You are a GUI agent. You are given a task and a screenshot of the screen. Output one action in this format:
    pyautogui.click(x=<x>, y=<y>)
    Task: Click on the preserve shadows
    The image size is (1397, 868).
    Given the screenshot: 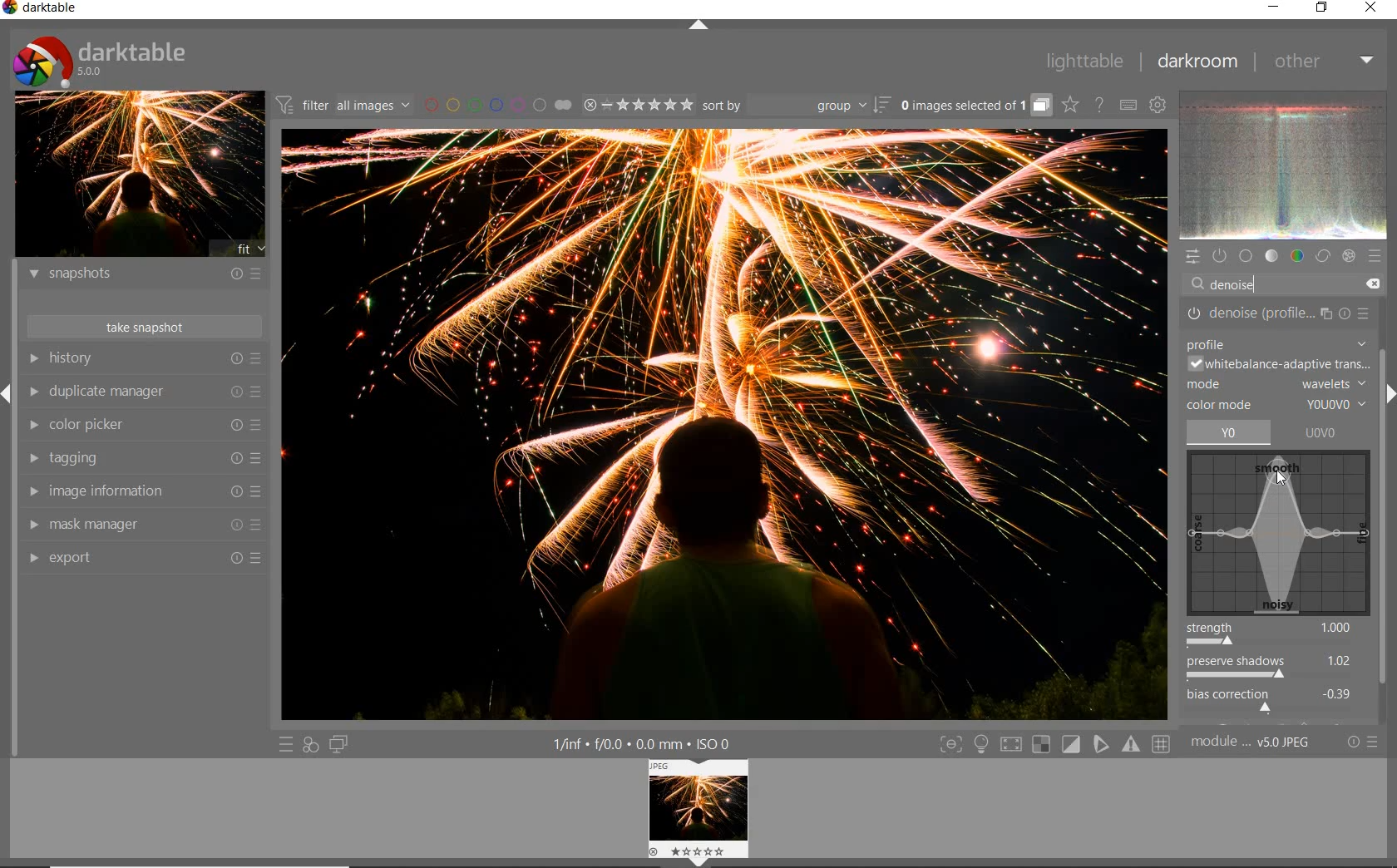 What is the action you would take?
    pyautogui.click(x=1276, y=670)
    